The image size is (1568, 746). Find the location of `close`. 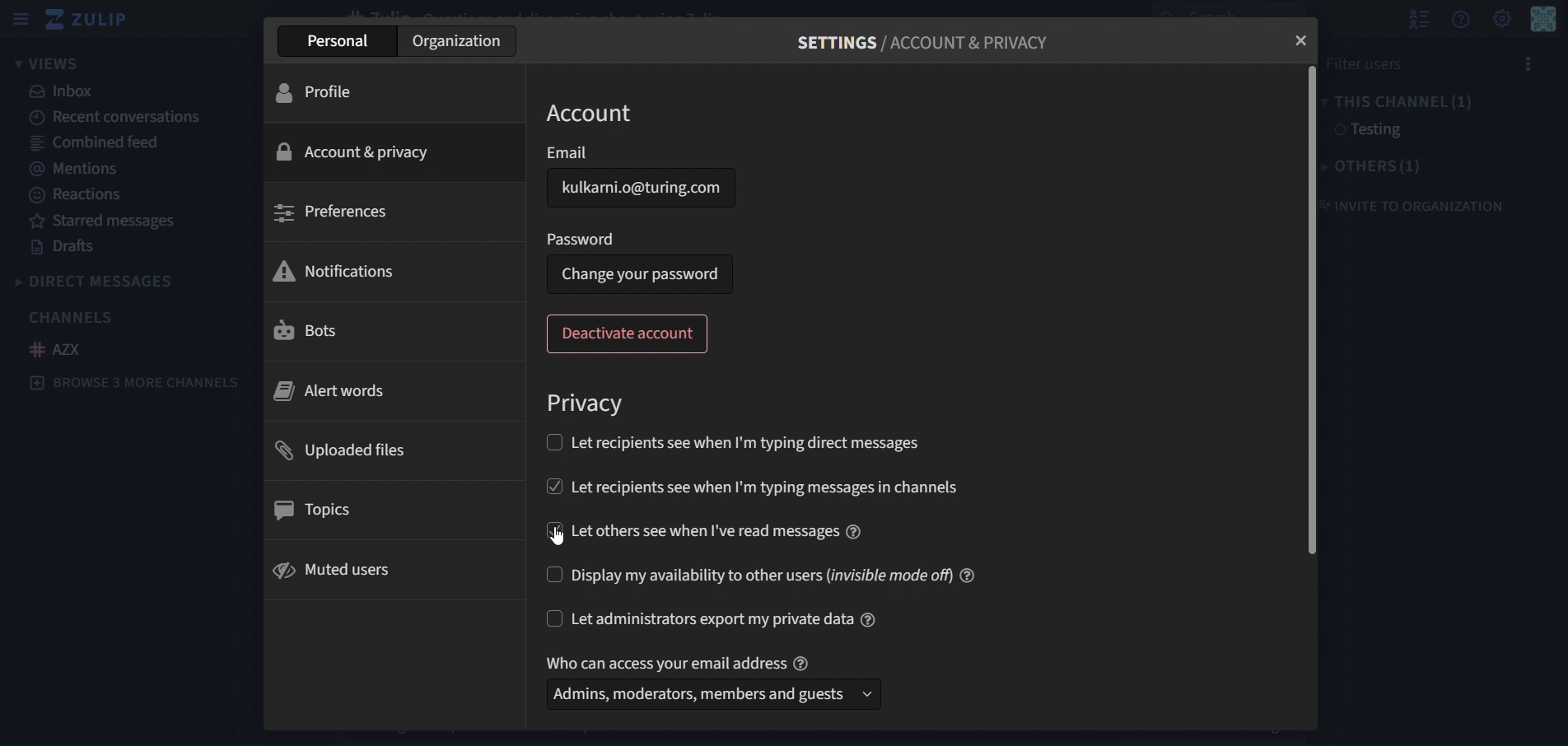

close is located at coordinates (1303, 39).